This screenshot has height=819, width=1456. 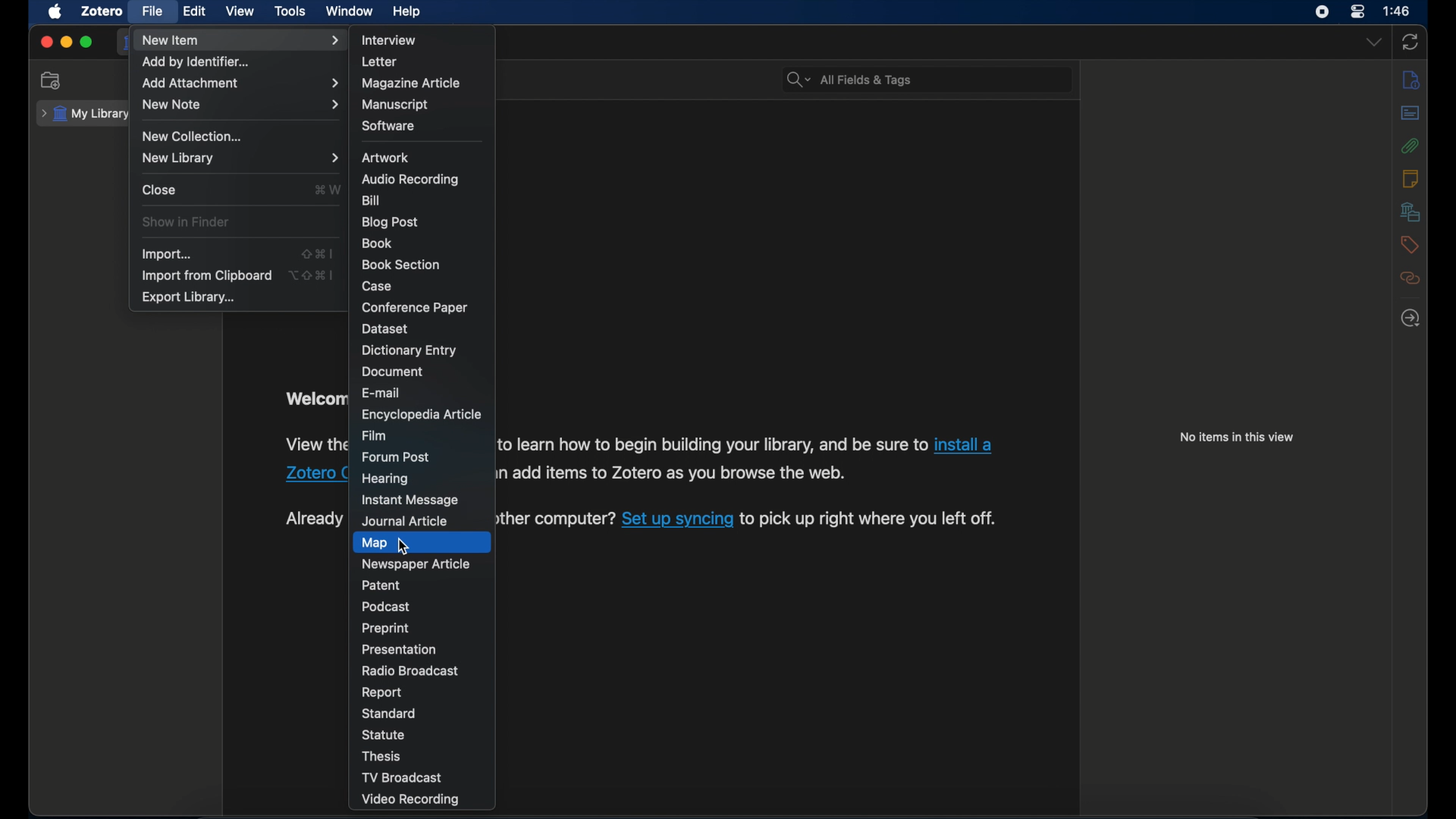 What do you see at coordinates (386, 328) in the screenshot?
I see `dataset` at bounding box center [386, 328].